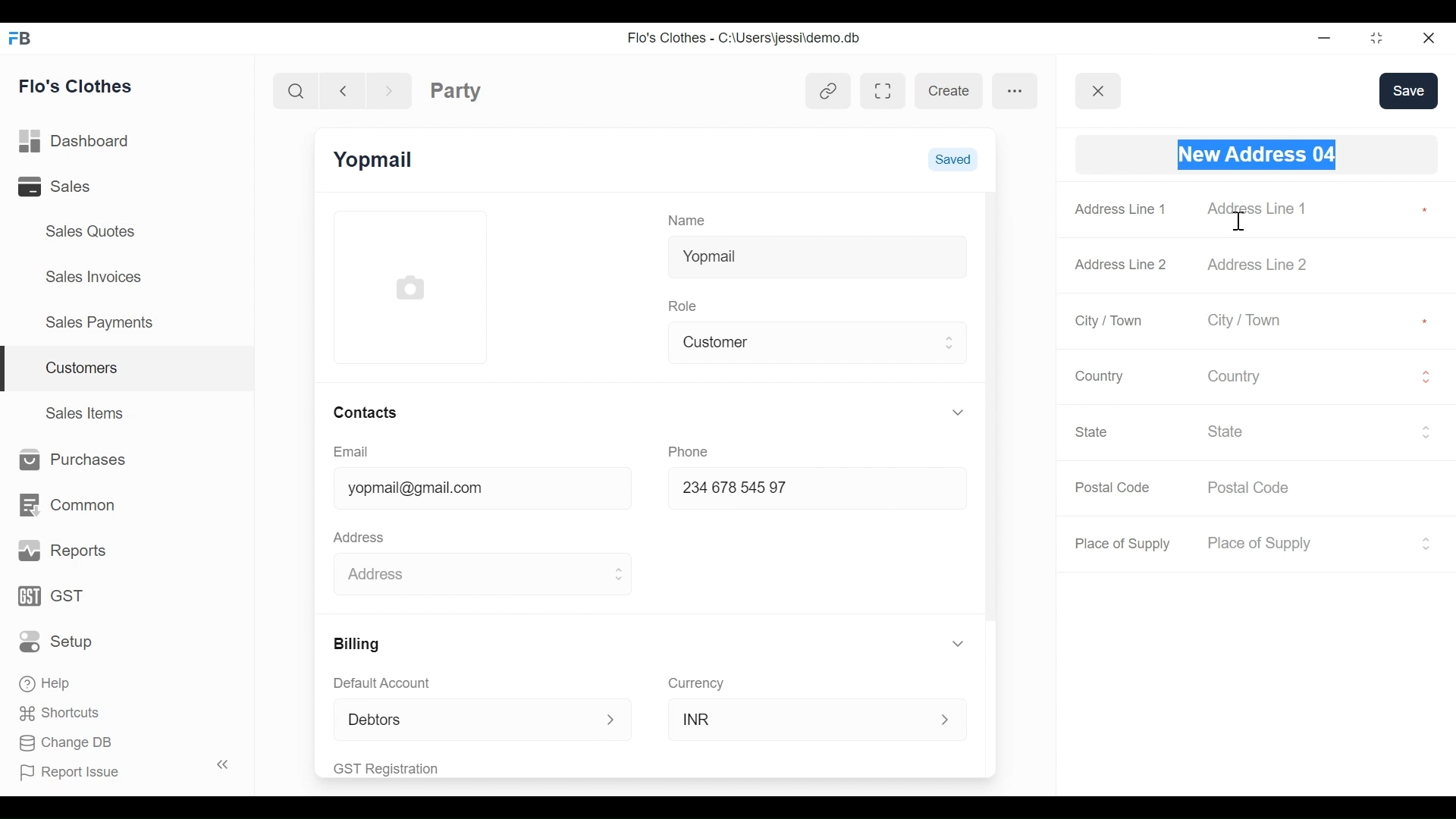 This screenshot has height=819, width=1456. Describe the element at coordinates (947, 720) in the screenshot. I see `Expand` at that location.